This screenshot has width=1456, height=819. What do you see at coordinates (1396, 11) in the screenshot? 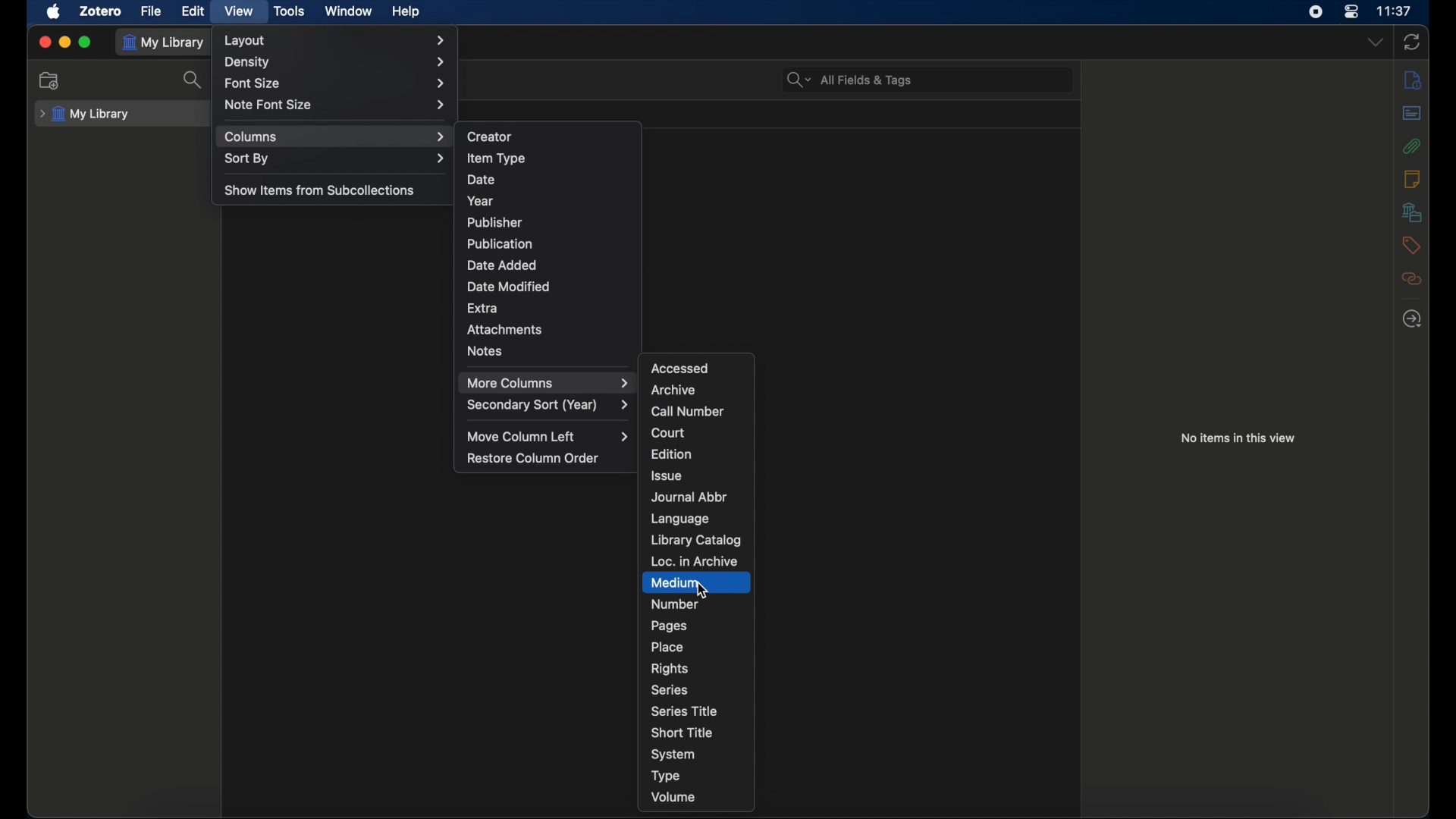
I see `time` at bounding box center [1396, 11].